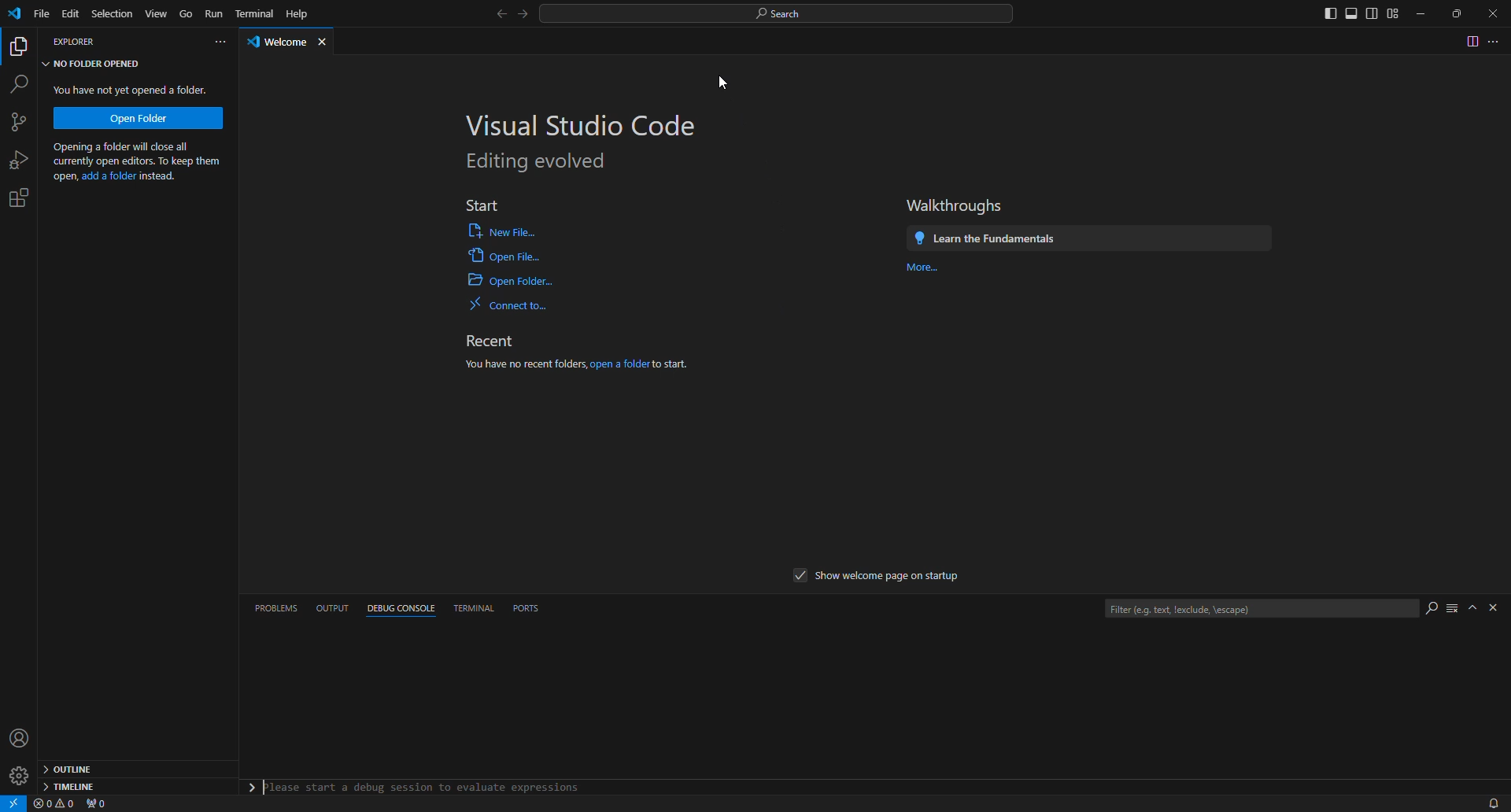 This screenshot has height=812, width=1511. Describe the element at coordinates (53, 804) in the screenshot. I see `warnings` at that location.